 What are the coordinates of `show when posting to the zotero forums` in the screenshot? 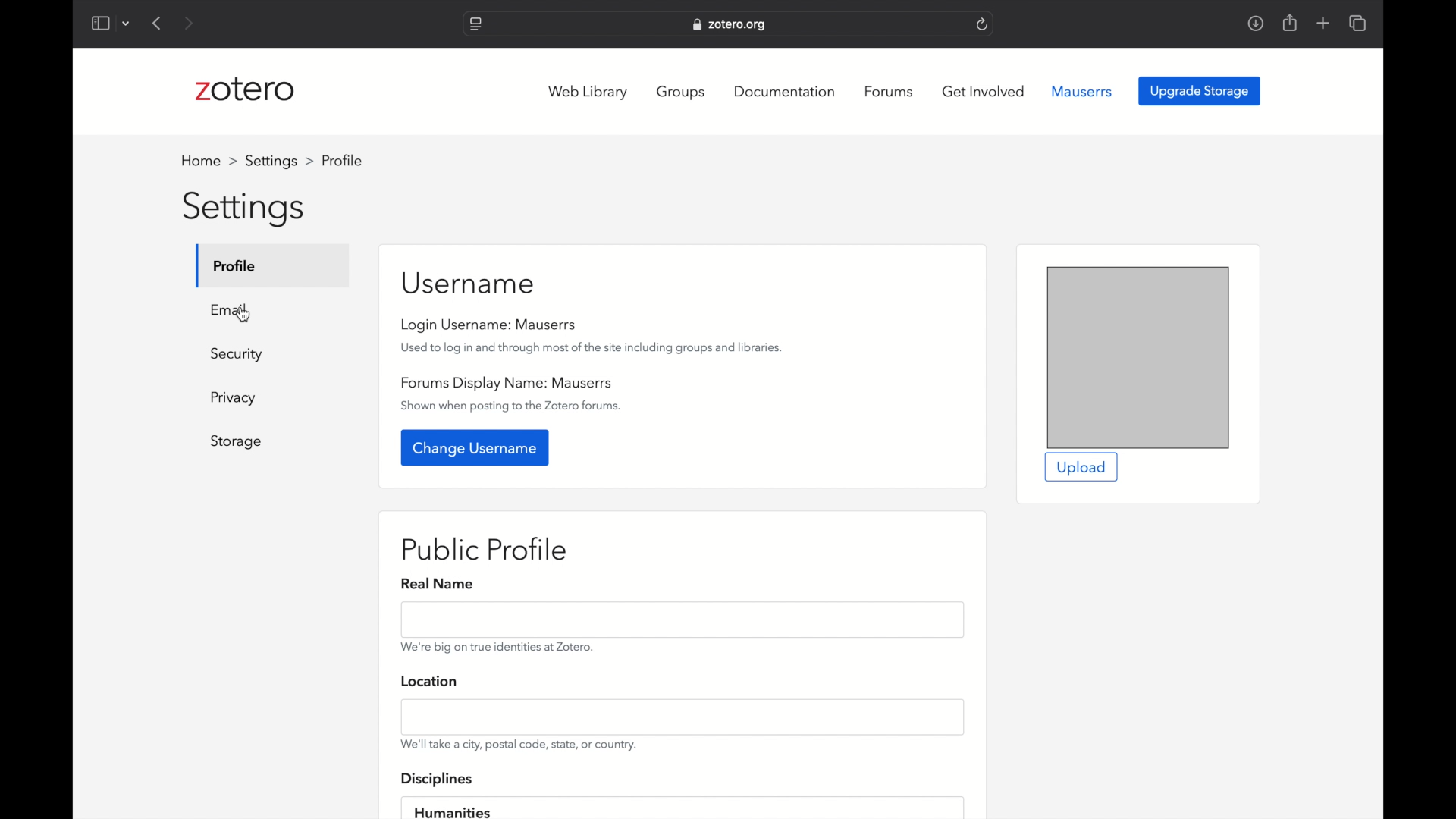 It's located at (513, 406).